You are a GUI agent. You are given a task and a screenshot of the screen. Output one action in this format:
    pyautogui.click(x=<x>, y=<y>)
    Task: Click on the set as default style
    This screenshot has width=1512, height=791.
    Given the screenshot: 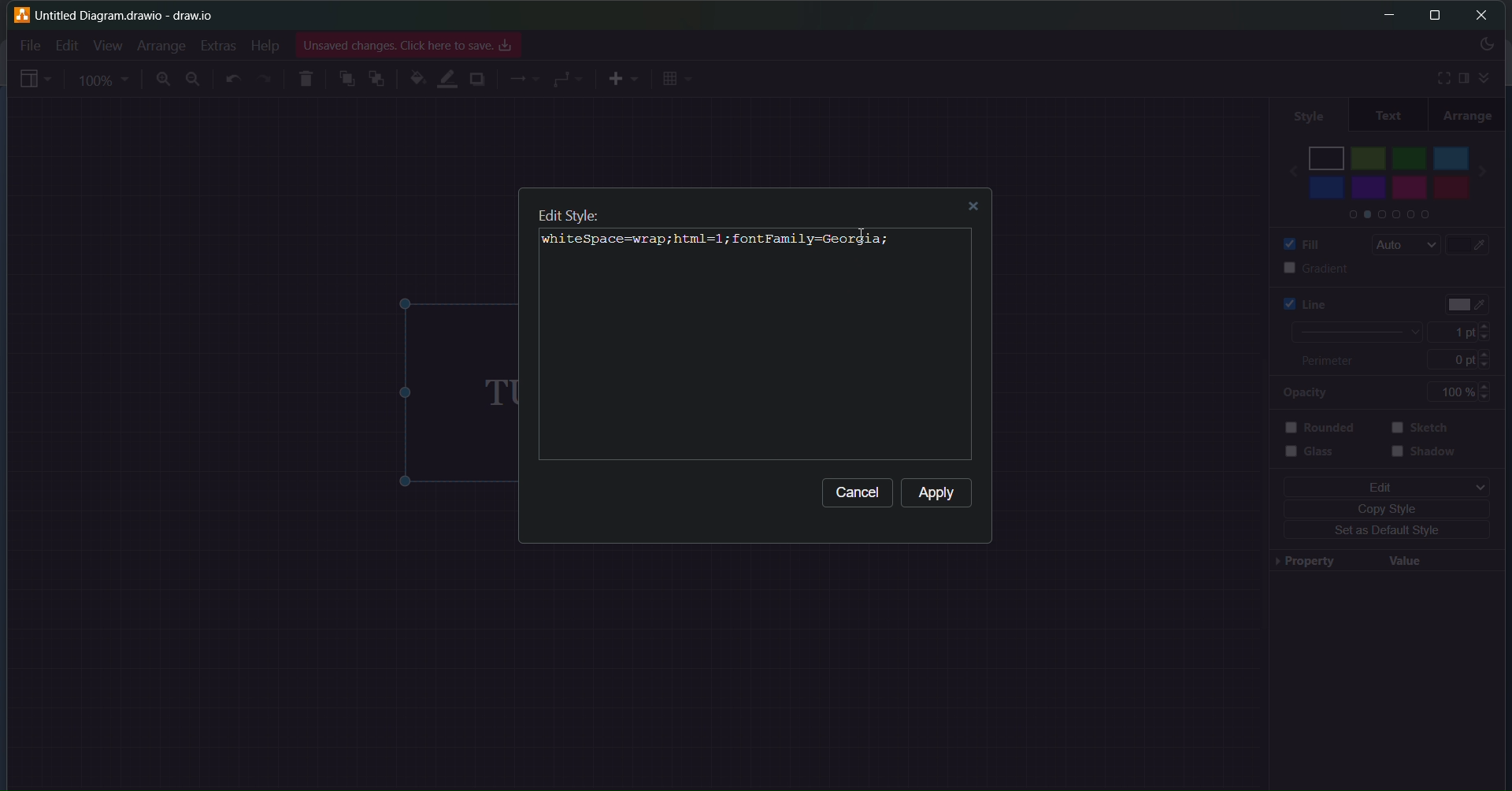 What is the action you would take?
    pyautogui.click(x=1381, y=532)
    